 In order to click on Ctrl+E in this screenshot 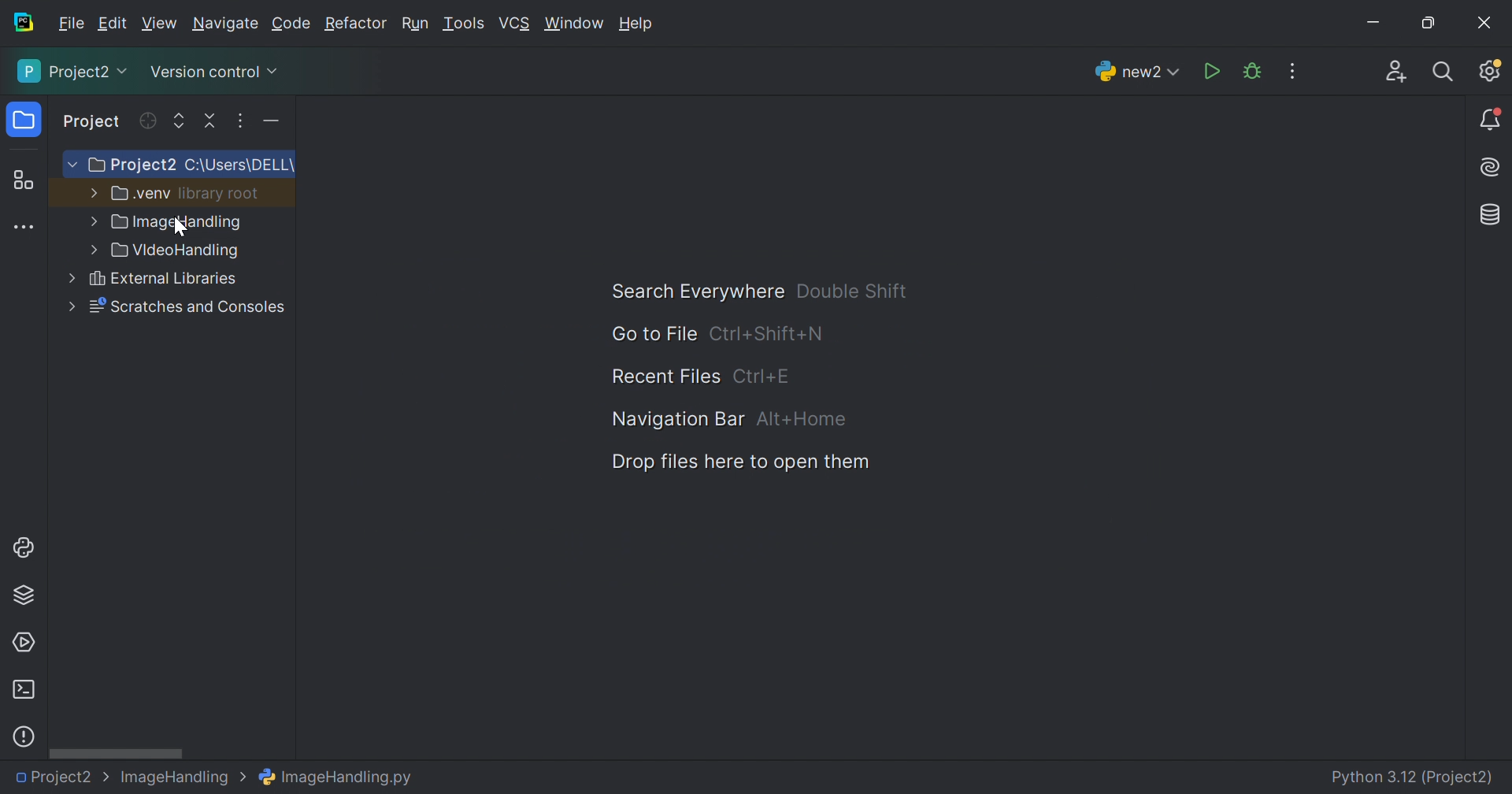, I will do `click(762, 376)`.